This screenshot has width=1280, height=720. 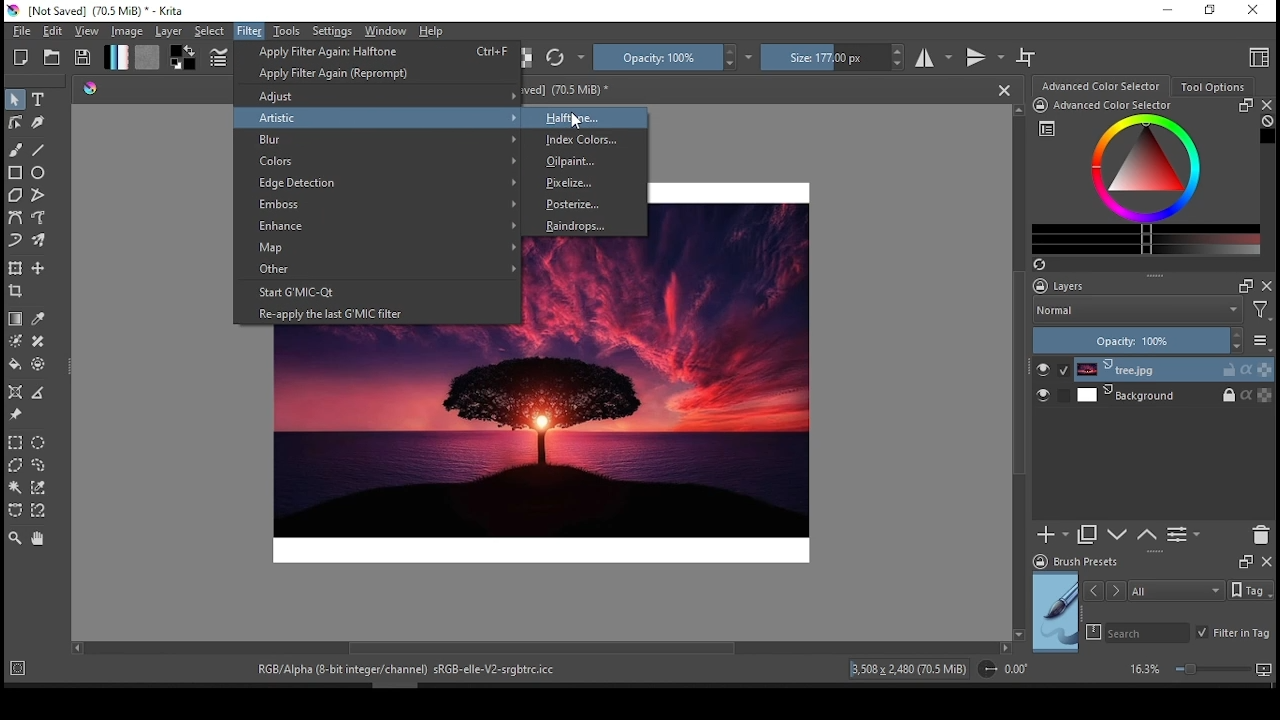 What do you see at coordinates (18, 465) in the screenshot?
I see `polygon selection tool` at bounding box center [18, 465].